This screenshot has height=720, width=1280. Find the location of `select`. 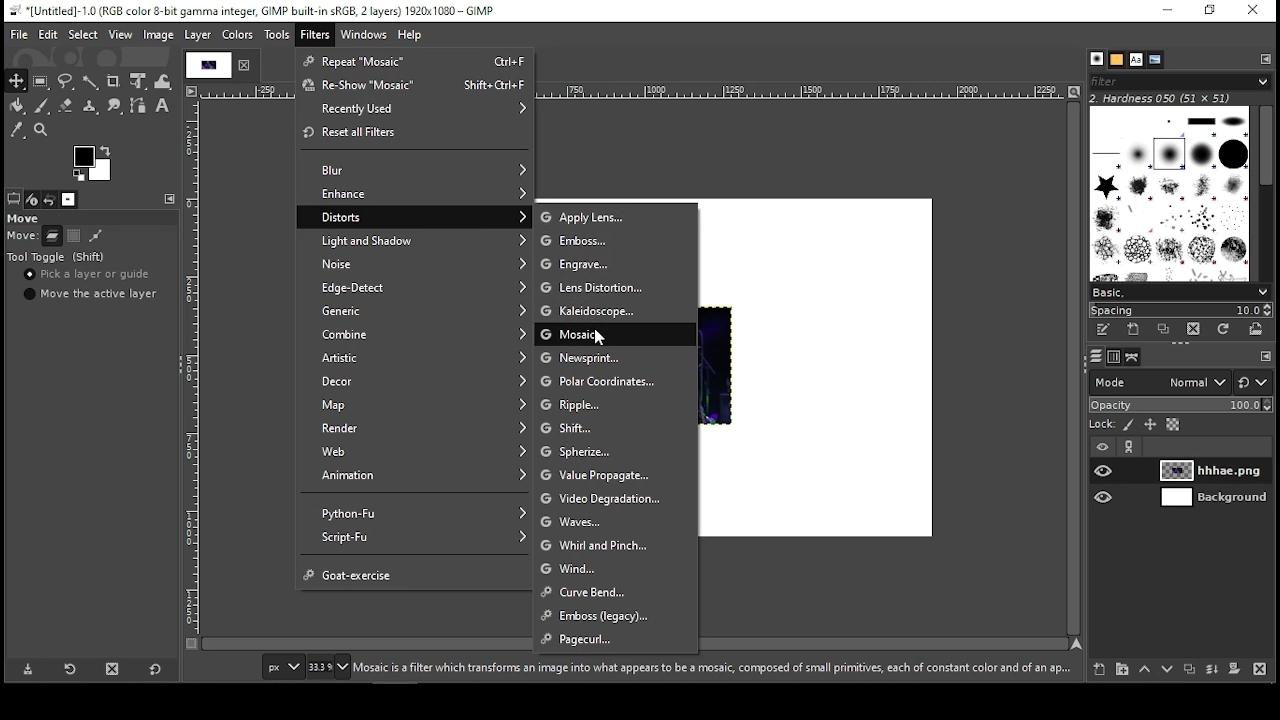

select is located at coordinates (82, 34).